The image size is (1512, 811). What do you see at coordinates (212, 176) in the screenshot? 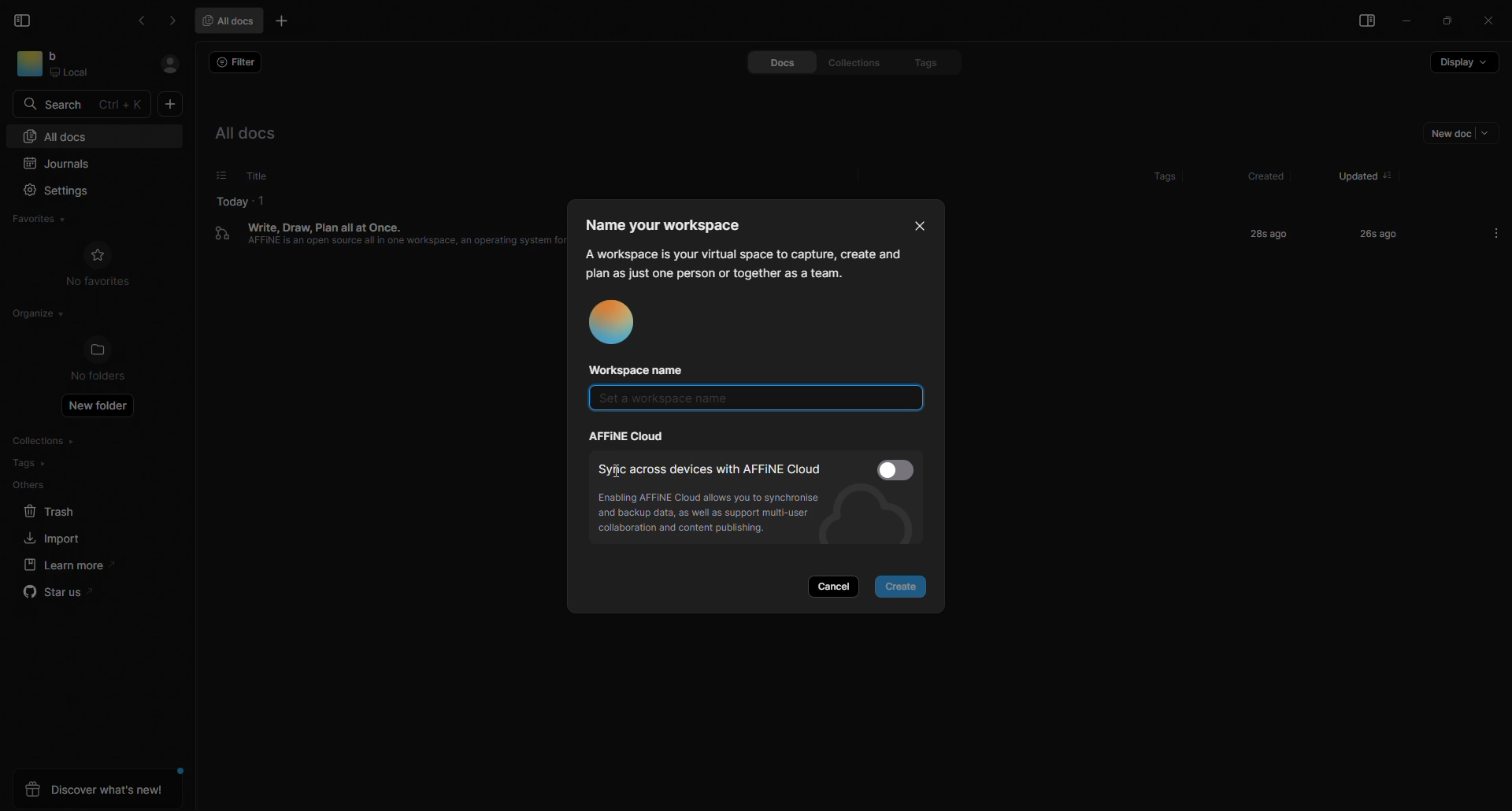
I see `select` at bounding box center [212, 176].